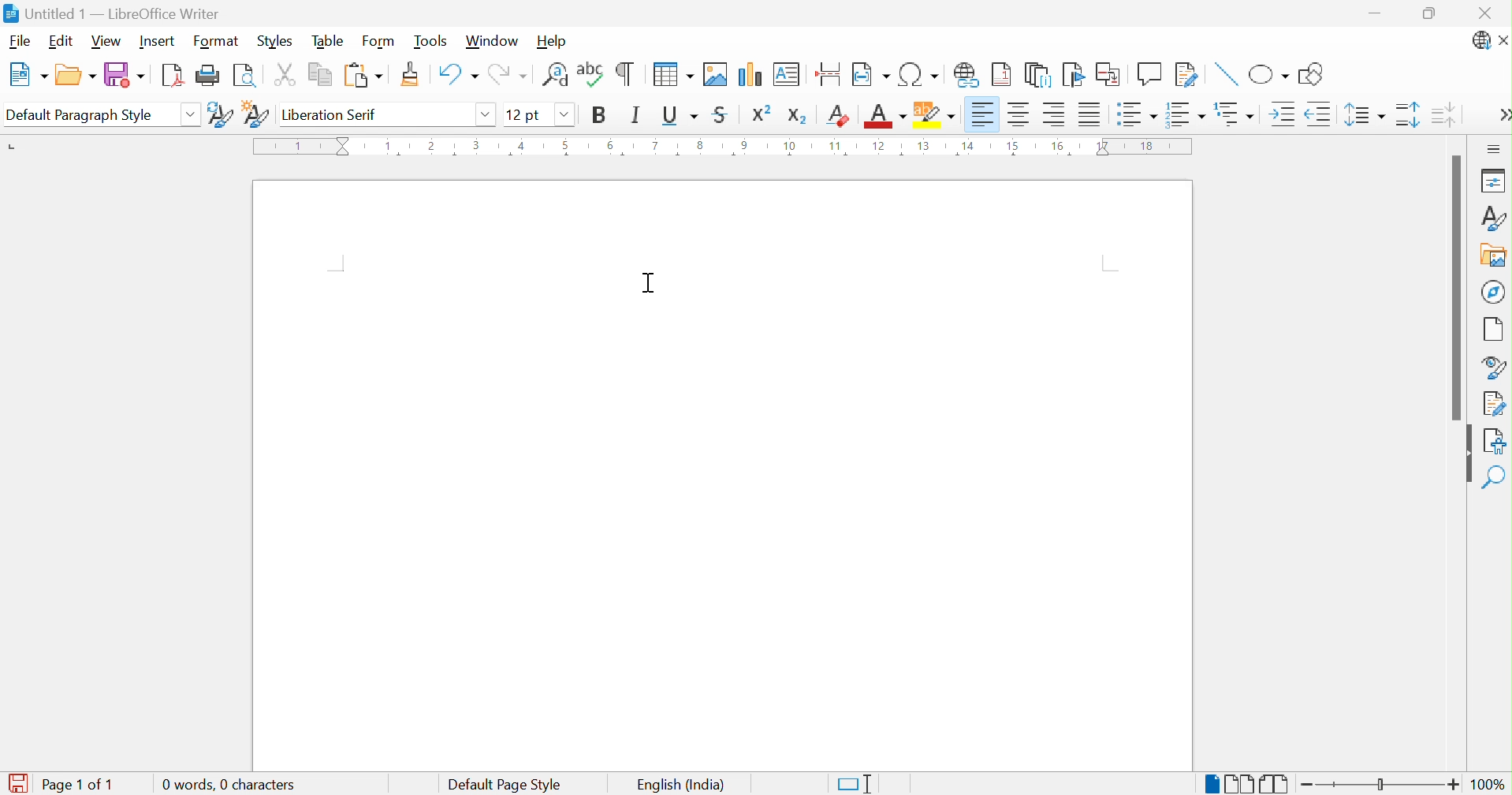 This screenshot has height=795, width=1512. What do you see at coordinates (1215, 786) in the screenshot?
I see `Single-page view` at bounding box center [1215, 786].